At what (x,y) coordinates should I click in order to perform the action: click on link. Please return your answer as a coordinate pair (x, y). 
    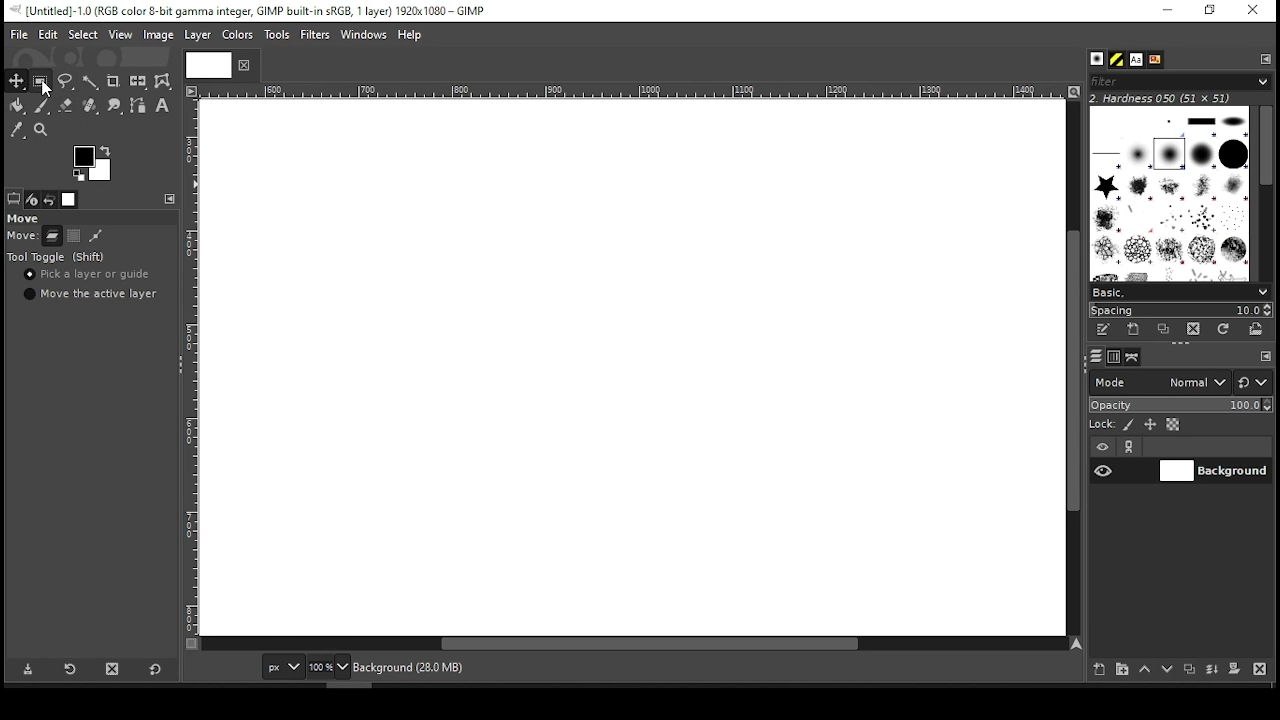
    Looking at the image, I should click on (1129, 447).